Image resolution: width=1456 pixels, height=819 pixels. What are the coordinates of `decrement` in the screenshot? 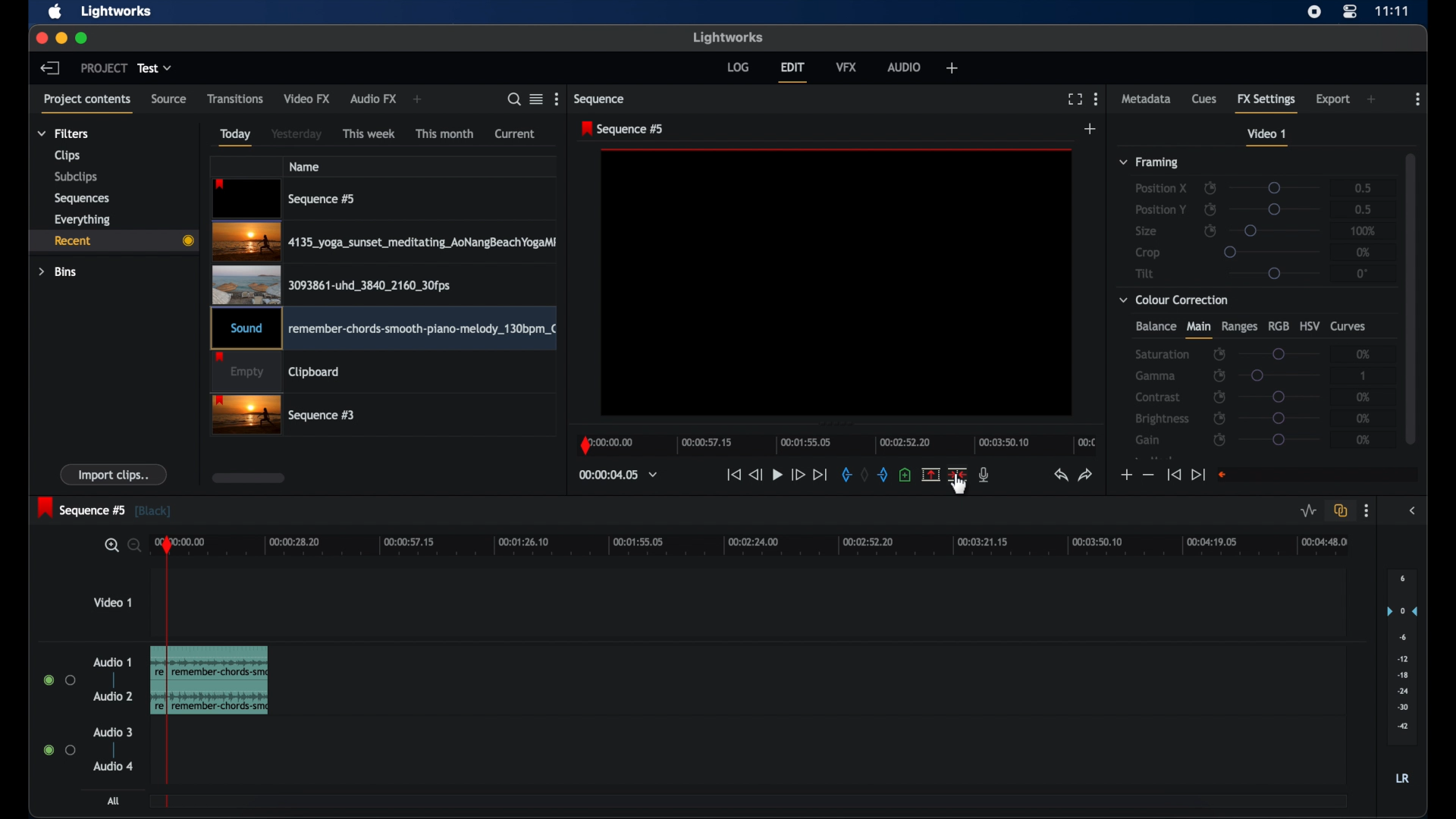 It's located at (1148, 474).